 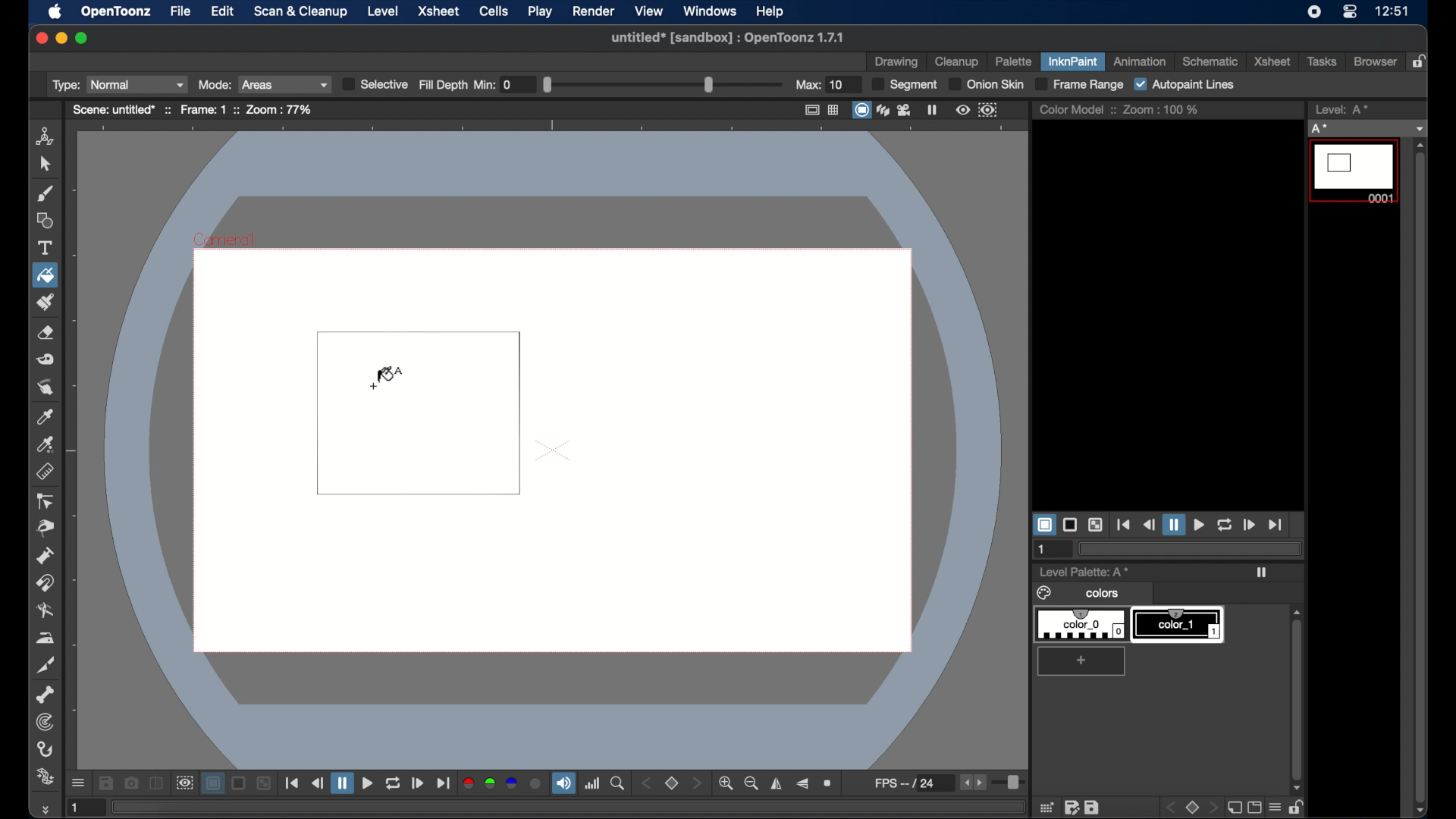 What do you see at coordinates (972, 782) in the screenshot?
I see `stepper buttons` at bounding box center [972, 782].